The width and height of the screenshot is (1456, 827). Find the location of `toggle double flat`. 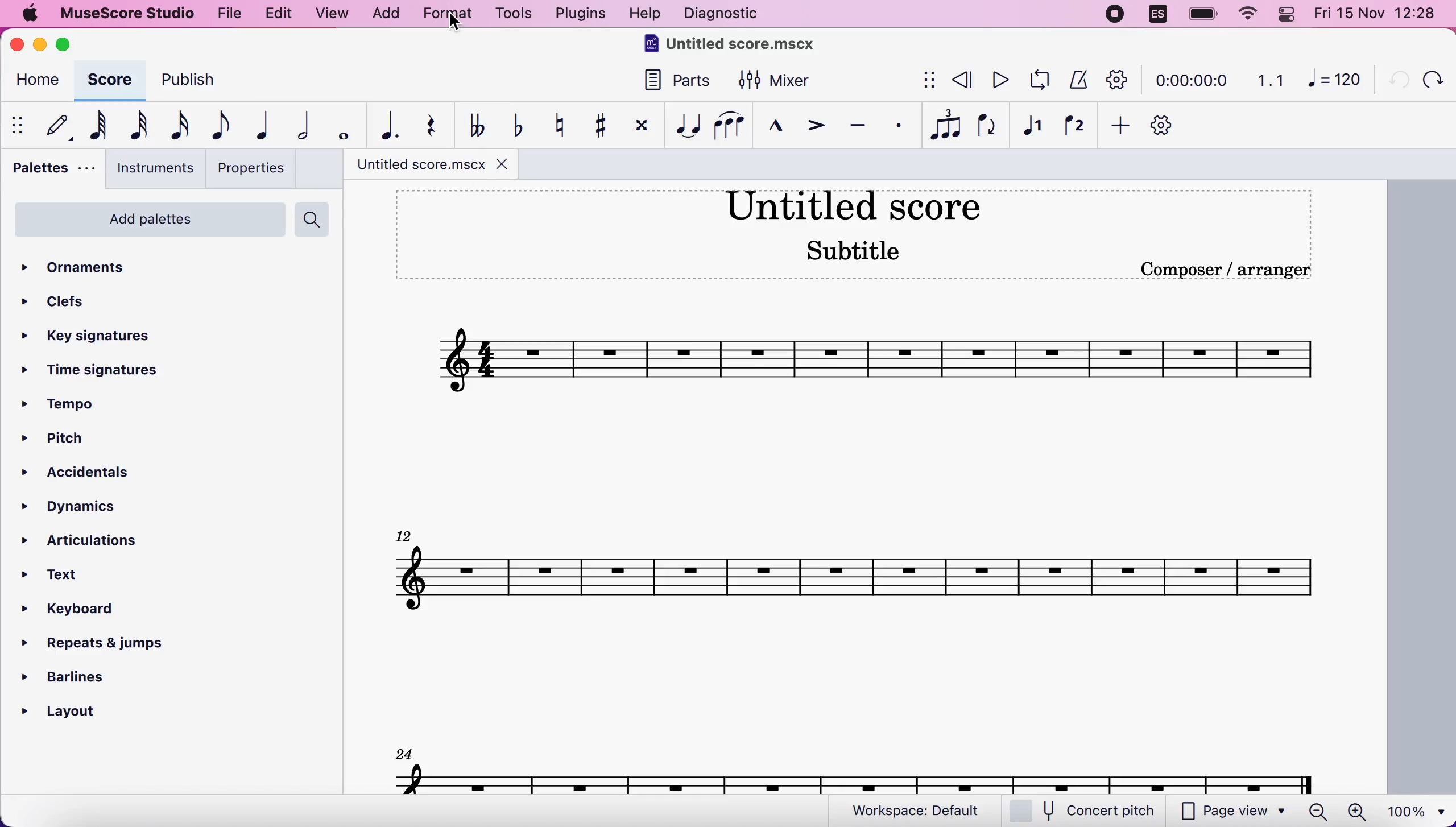

toggle double flat is located at coordinates (476, 124).